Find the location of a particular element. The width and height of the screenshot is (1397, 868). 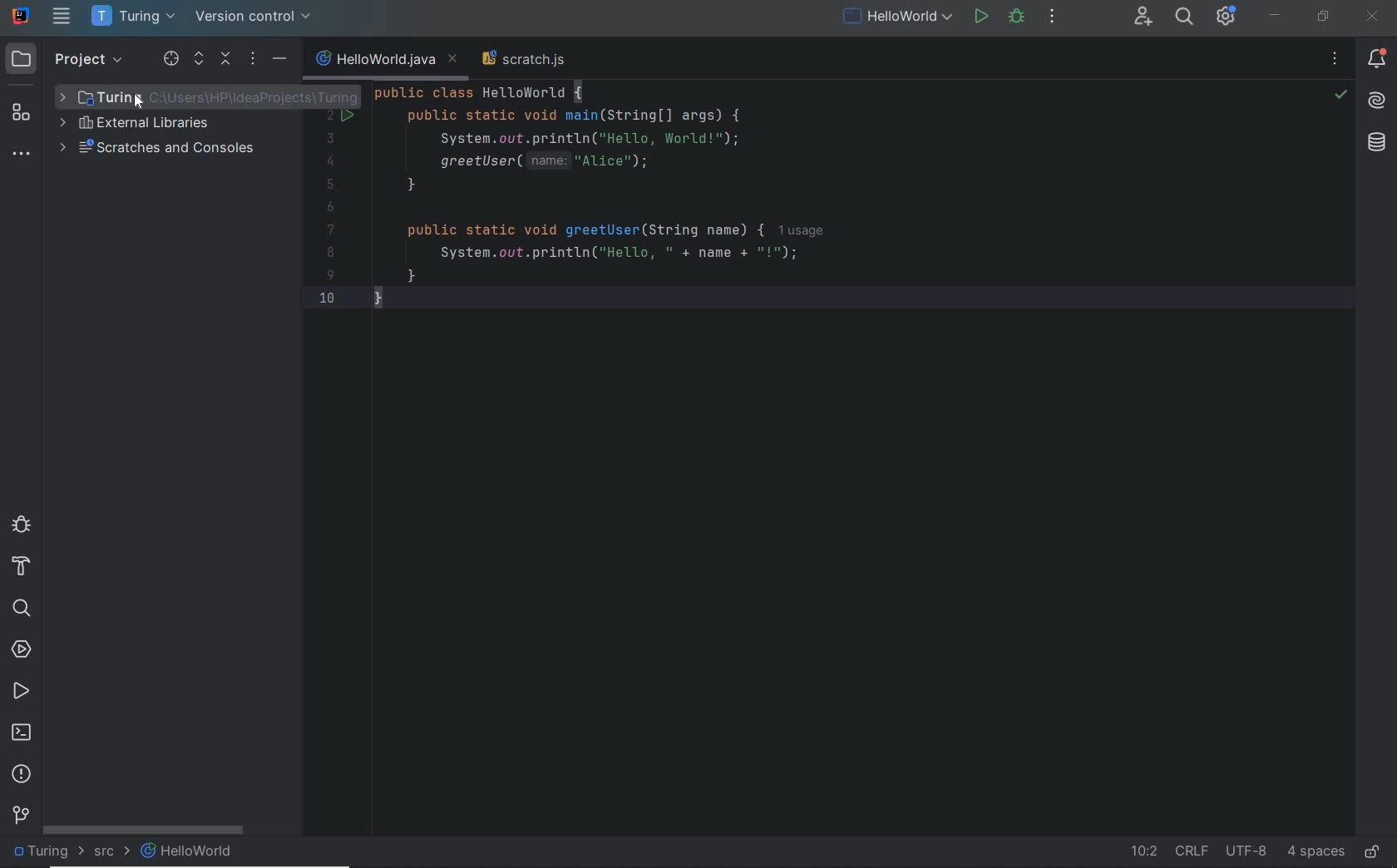

line separator is located at coordinates (1194, 851).